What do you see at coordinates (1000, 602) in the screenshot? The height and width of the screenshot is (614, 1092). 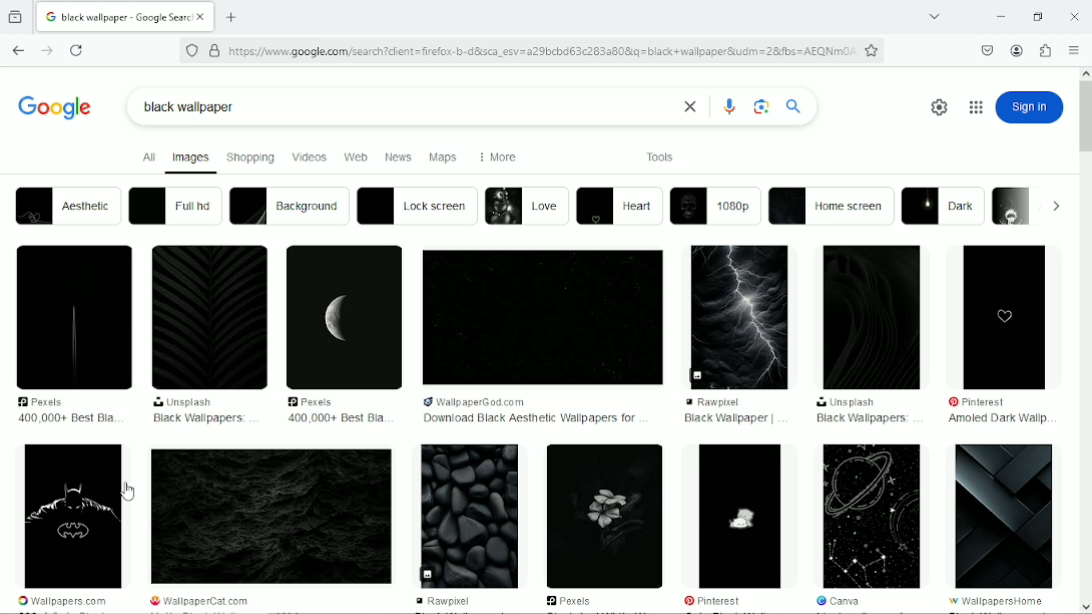 I see `wallpapershome` at bounding box center [1000, 602].